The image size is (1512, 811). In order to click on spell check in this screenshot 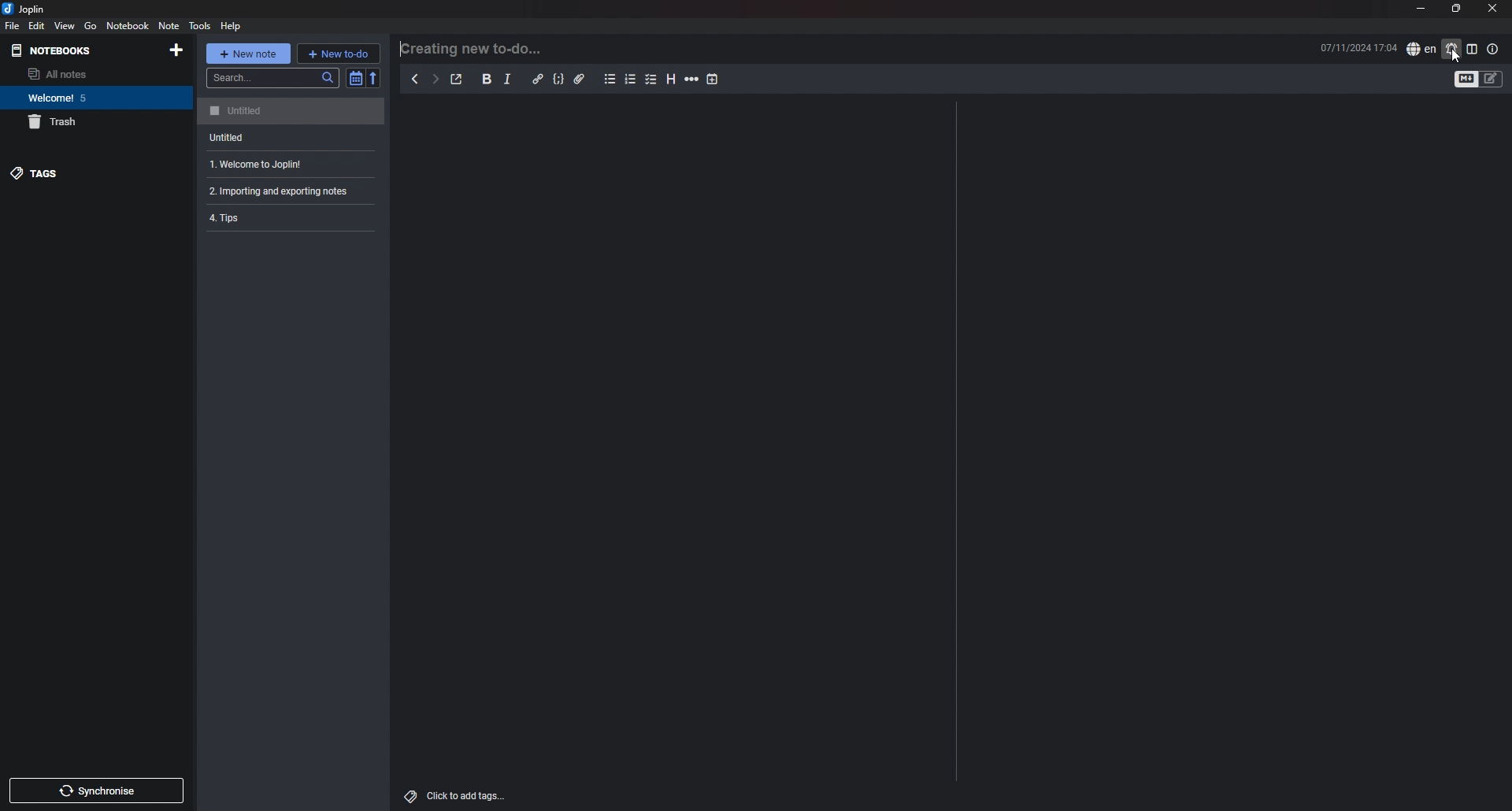, I will do `click(1421, 50)`.